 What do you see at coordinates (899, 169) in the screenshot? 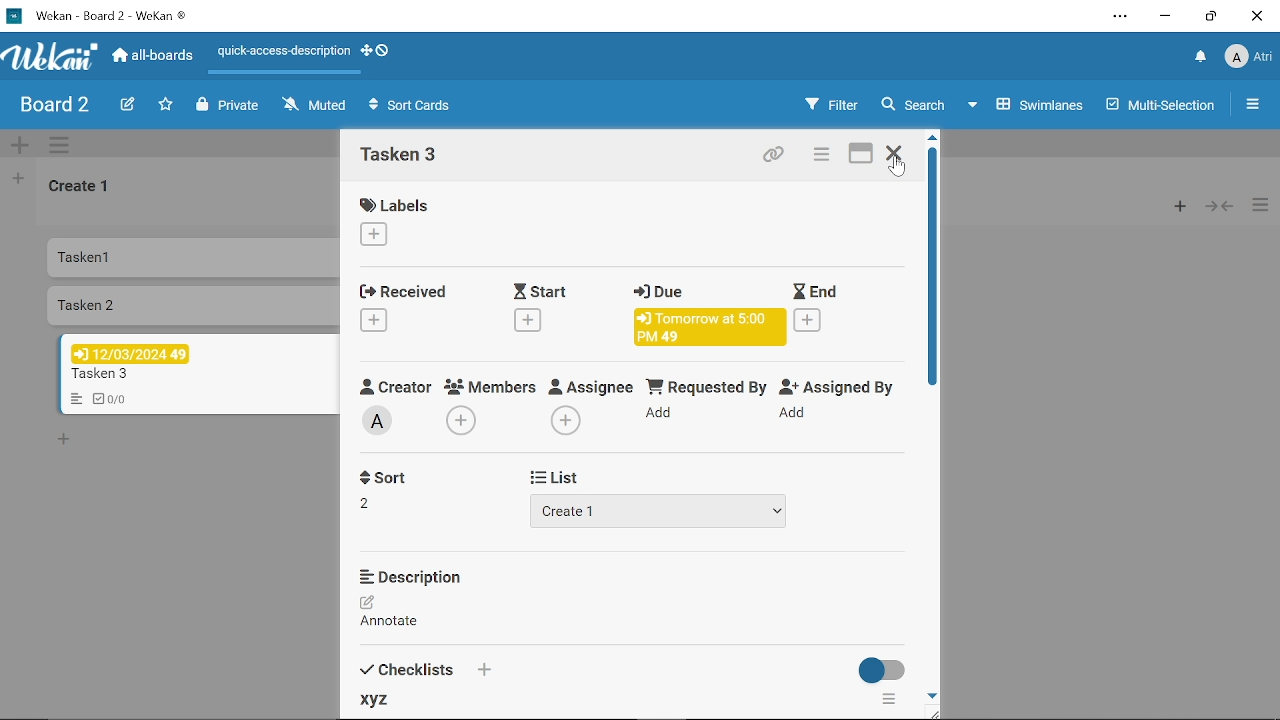
I see `Cursor` at bounding box center [899, 169].